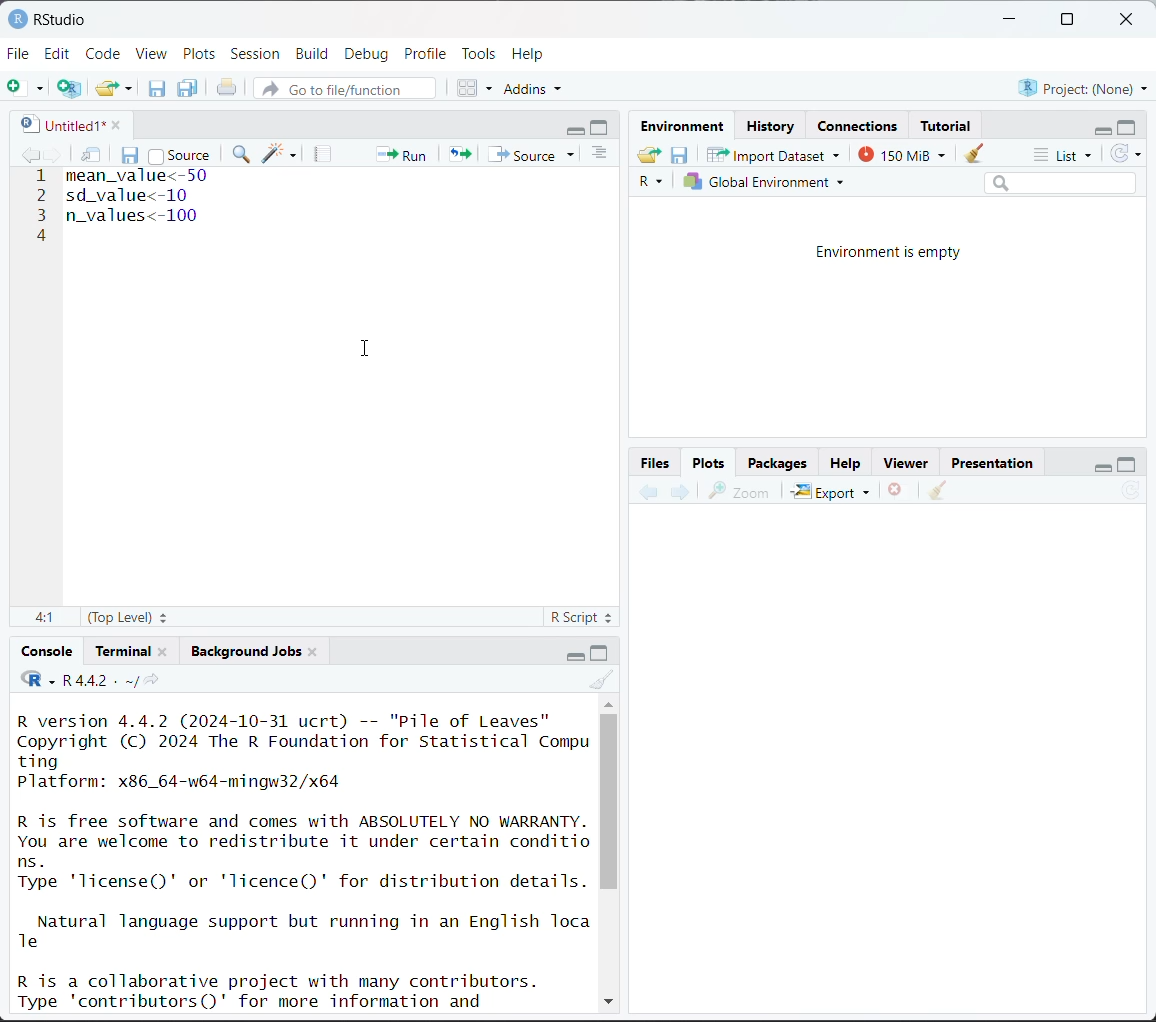  I want to click on Debug, so click(366, 54).